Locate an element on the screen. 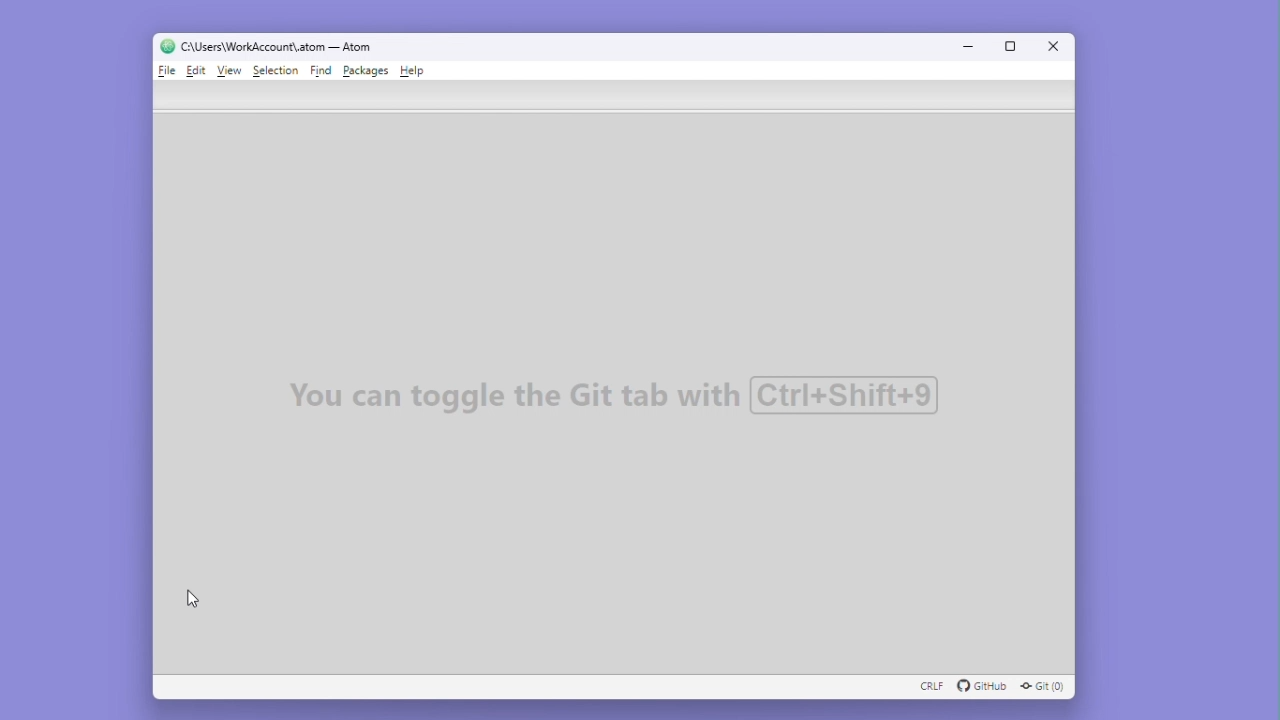 The image size is (1280, 720). File is located at coordinates (168, 72).